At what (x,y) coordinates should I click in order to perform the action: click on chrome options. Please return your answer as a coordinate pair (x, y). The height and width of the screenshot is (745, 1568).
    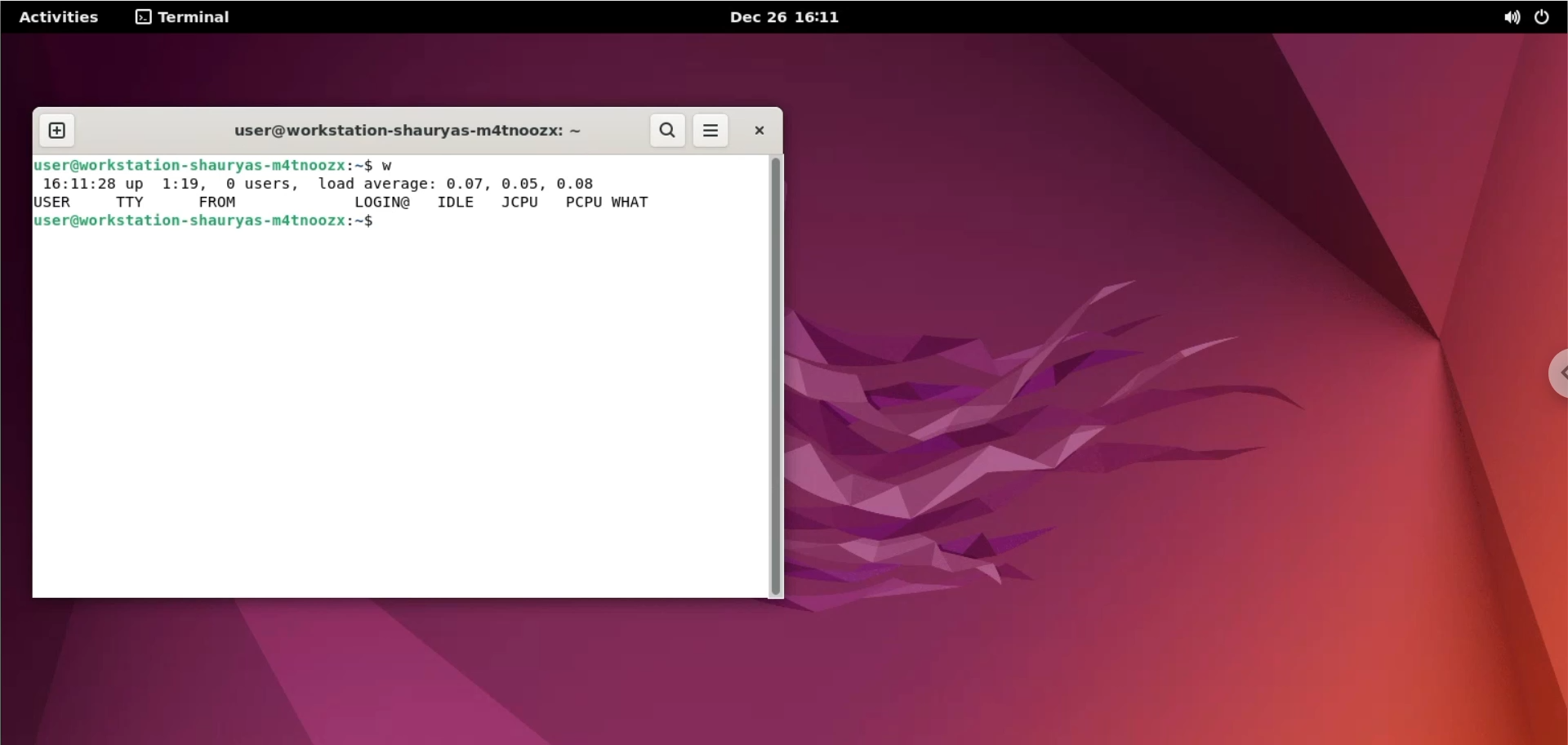
    Looking at the image, I should click on (1557, 370).